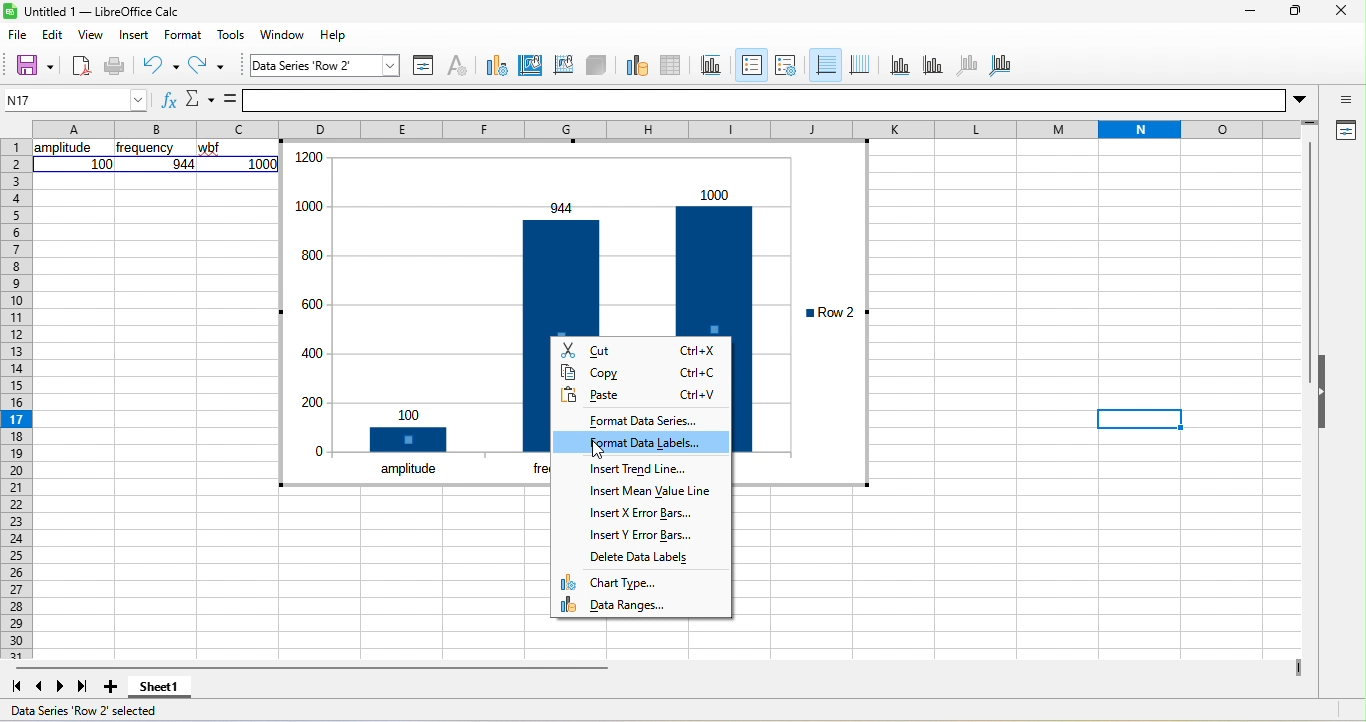  What do you see at coordinates (639, 533) in the screenshot?
I see `insert y error bars` at bounding box center [639, 533].